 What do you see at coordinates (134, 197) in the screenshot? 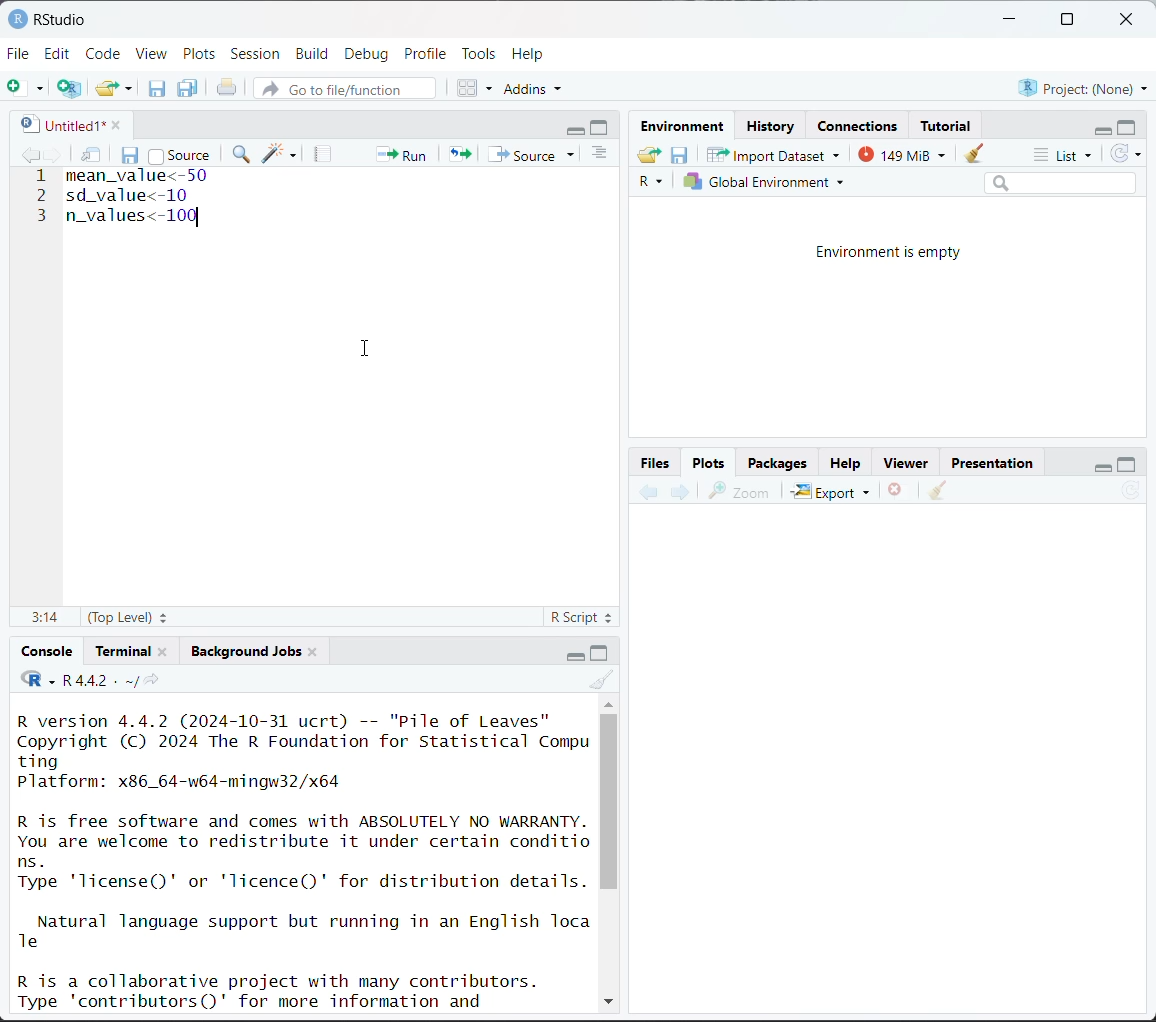
I see `sd_value<-10` at bounding box center [134, 197].